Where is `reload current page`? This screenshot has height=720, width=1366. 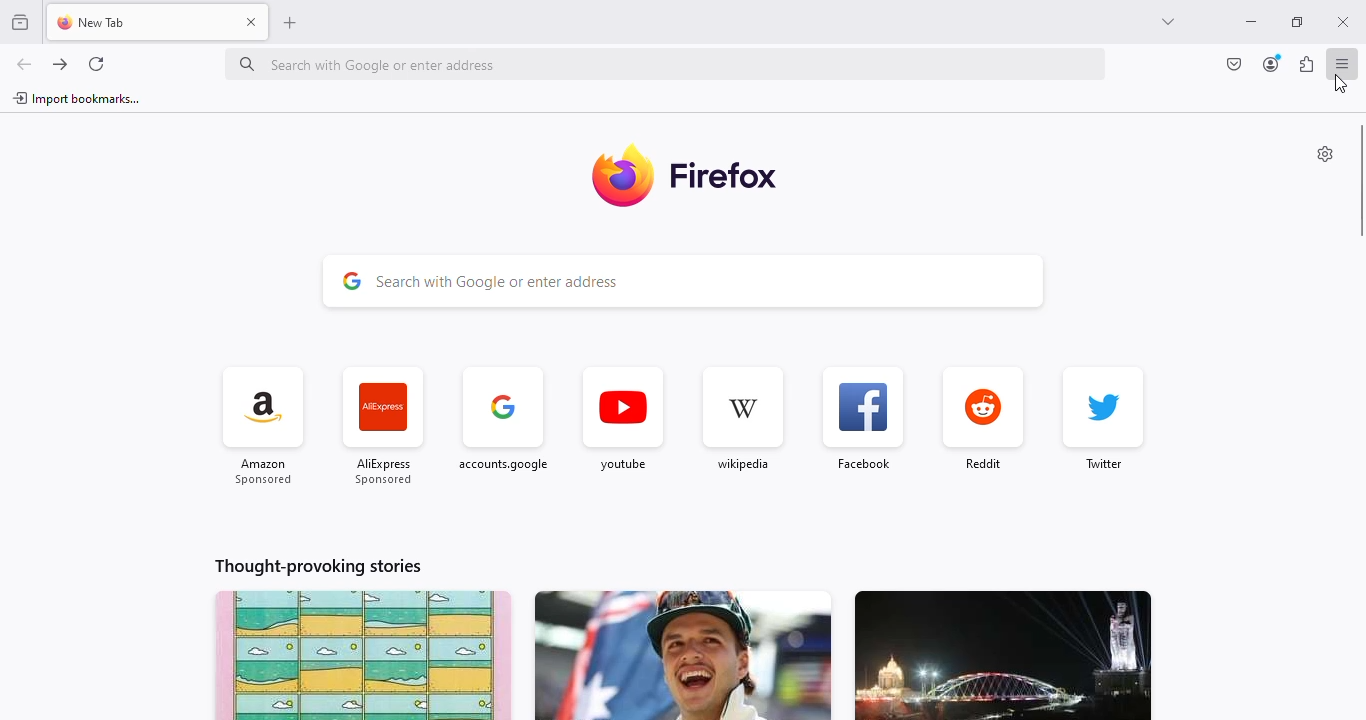
reload current page is located at coordinates (95, 64).